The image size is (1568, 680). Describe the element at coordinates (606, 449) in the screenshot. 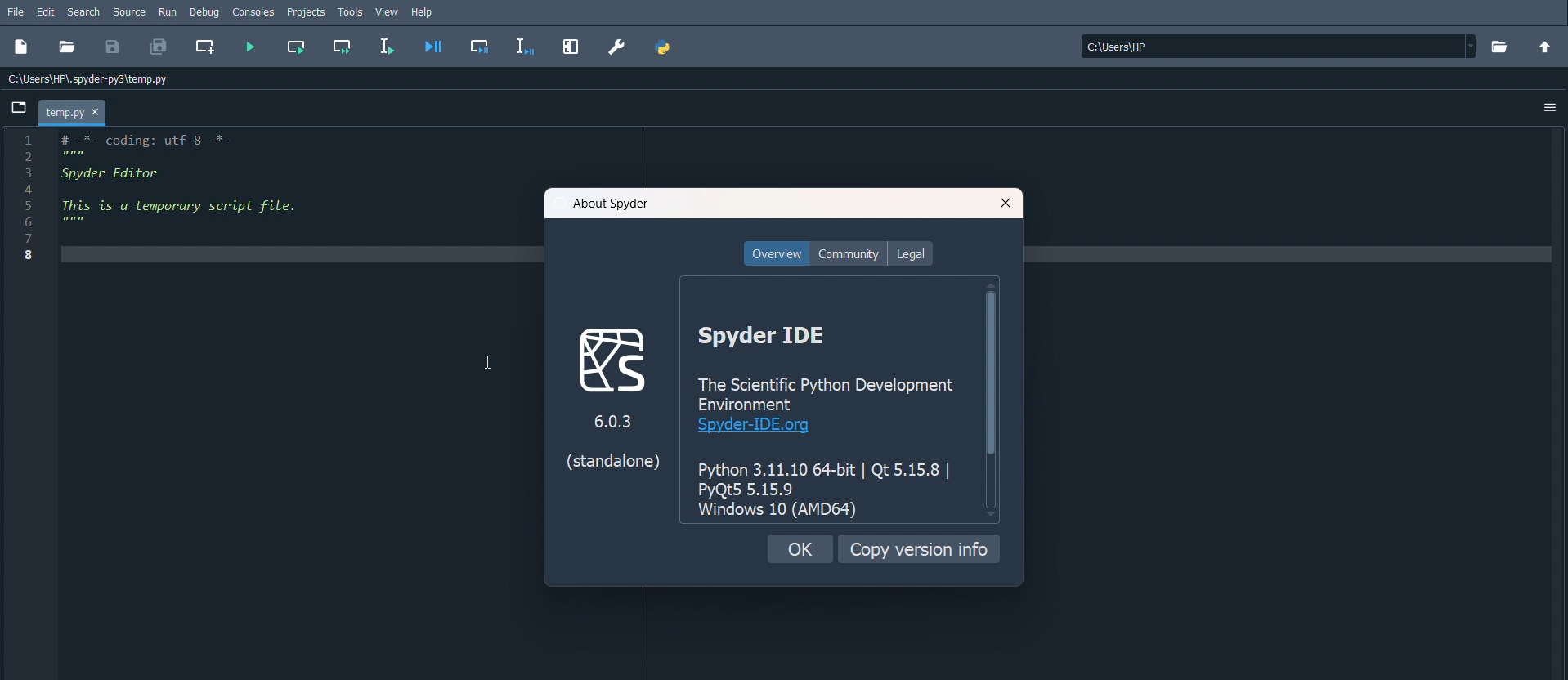

I see `6.0.3
(standalone)` at that location.